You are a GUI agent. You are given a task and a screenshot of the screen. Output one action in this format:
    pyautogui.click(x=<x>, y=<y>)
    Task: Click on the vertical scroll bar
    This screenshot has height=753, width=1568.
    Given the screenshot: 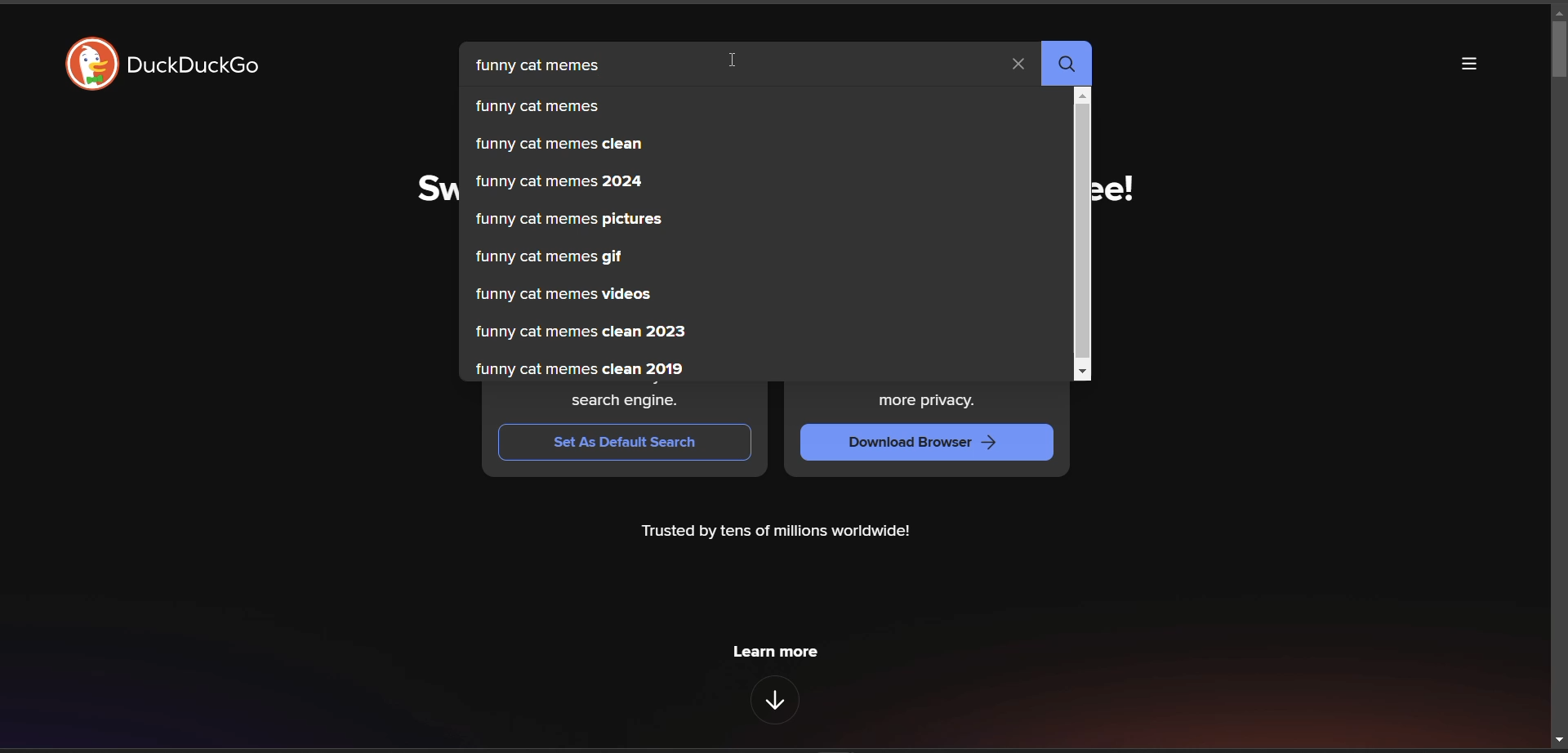 What is the action you would take?
    pyautogui.click(x=1084, y=236)
    